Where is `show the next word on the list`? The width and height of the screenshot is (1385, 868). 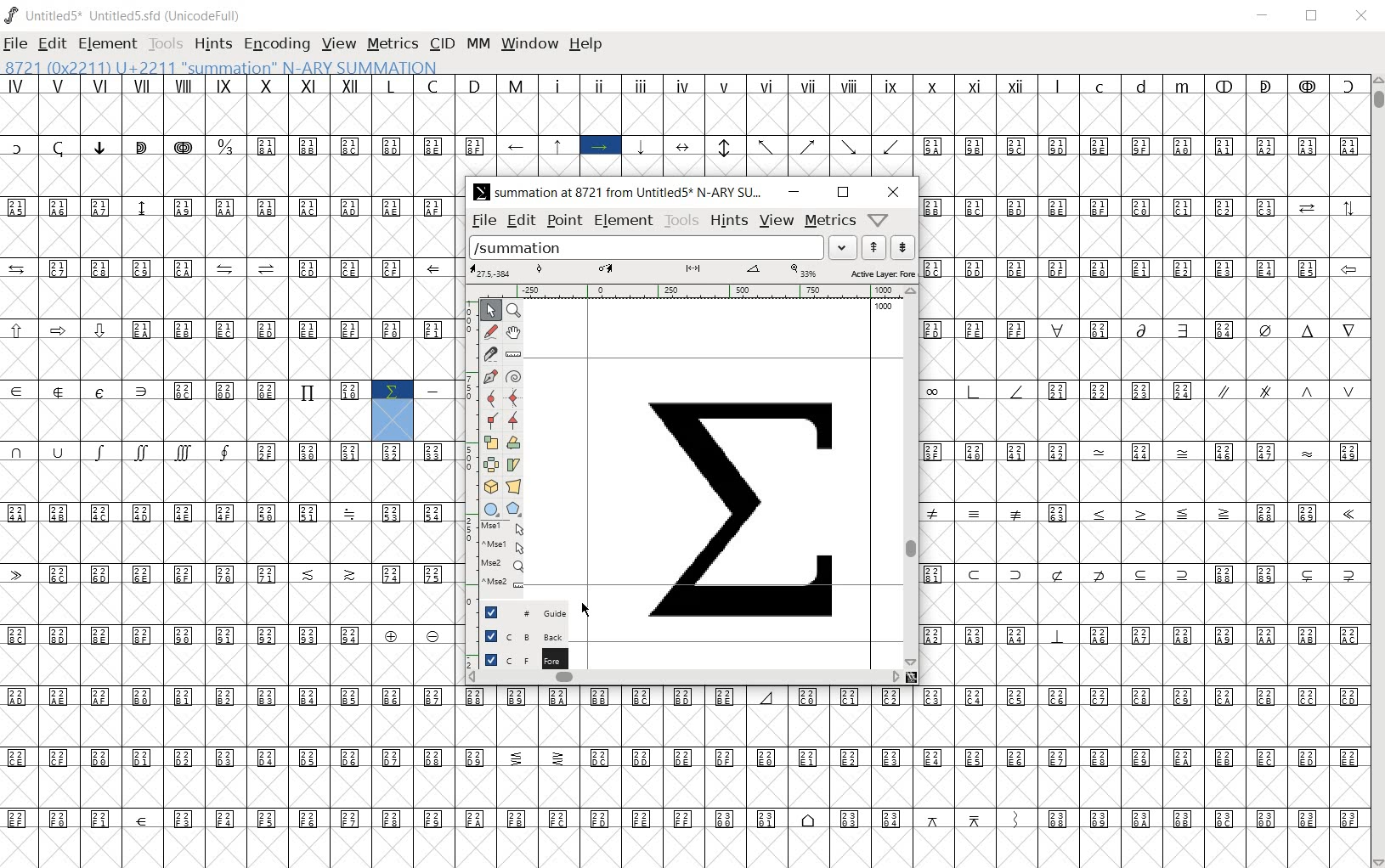 show the next word on the list is located at coordinates (875, 247).